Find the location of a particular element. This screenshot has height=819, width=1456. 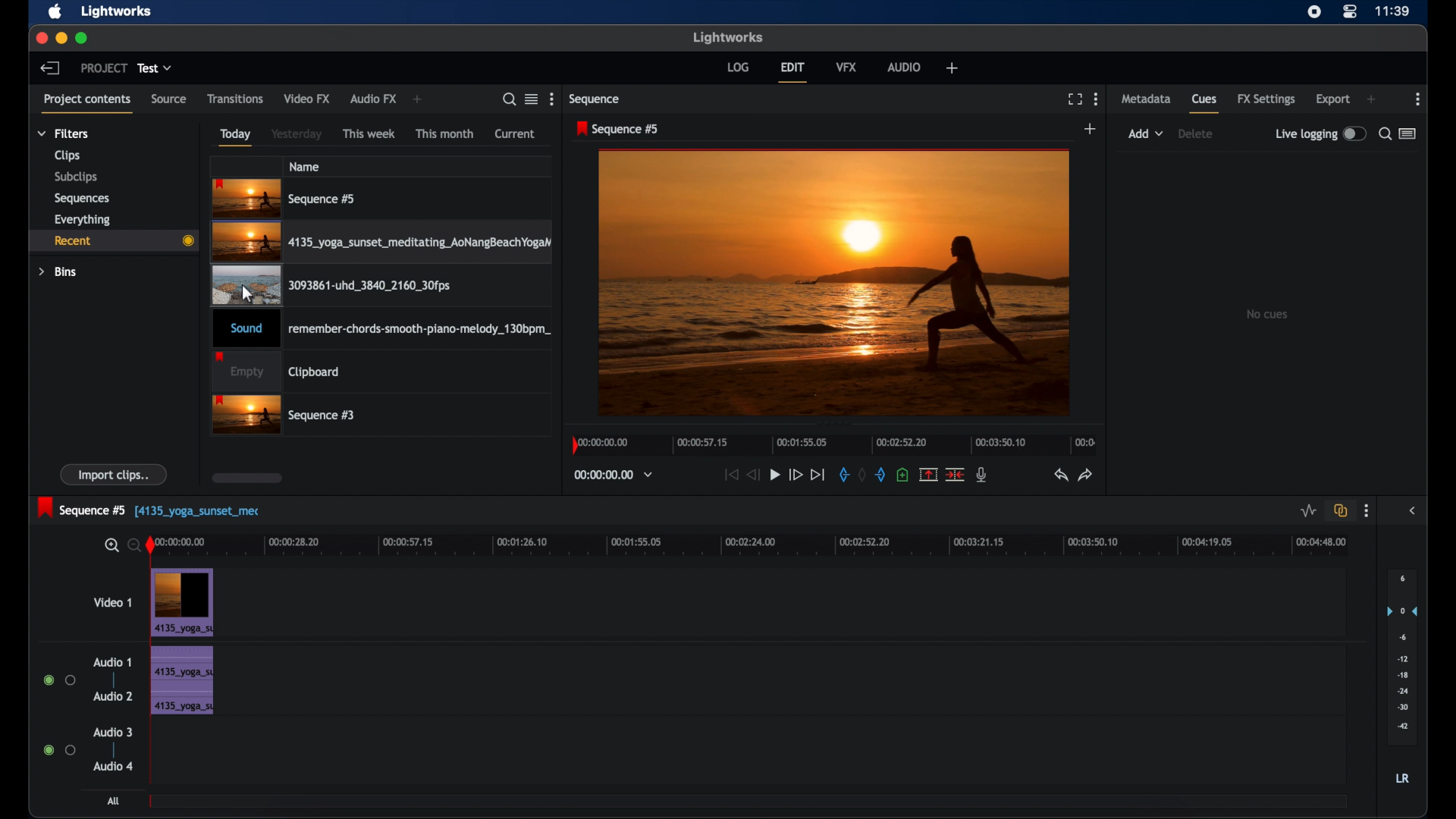

bins is located at coordinates (59, 273).